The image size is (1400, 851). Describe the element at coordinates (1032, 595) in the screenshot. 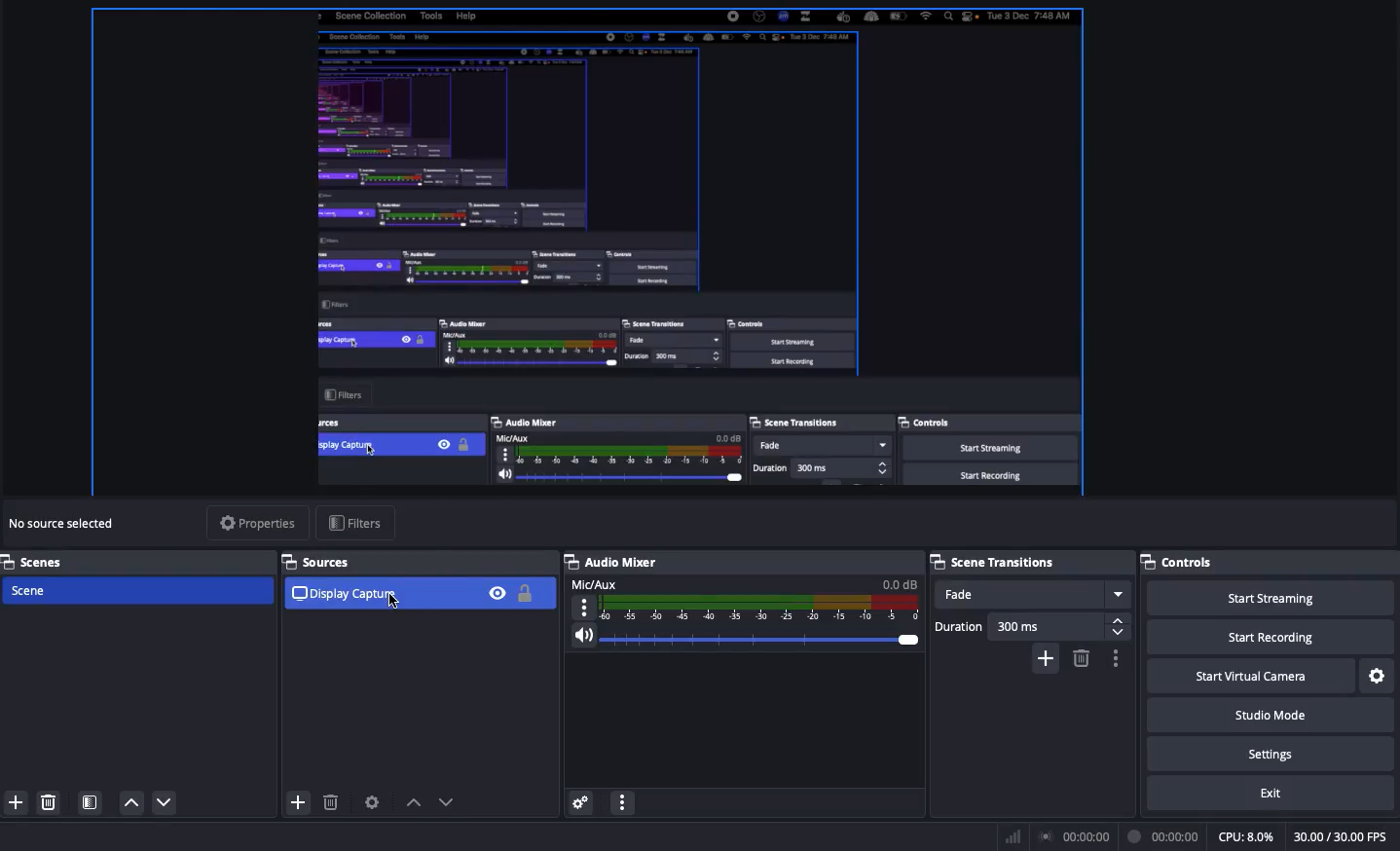

I see `Fade` at that location.